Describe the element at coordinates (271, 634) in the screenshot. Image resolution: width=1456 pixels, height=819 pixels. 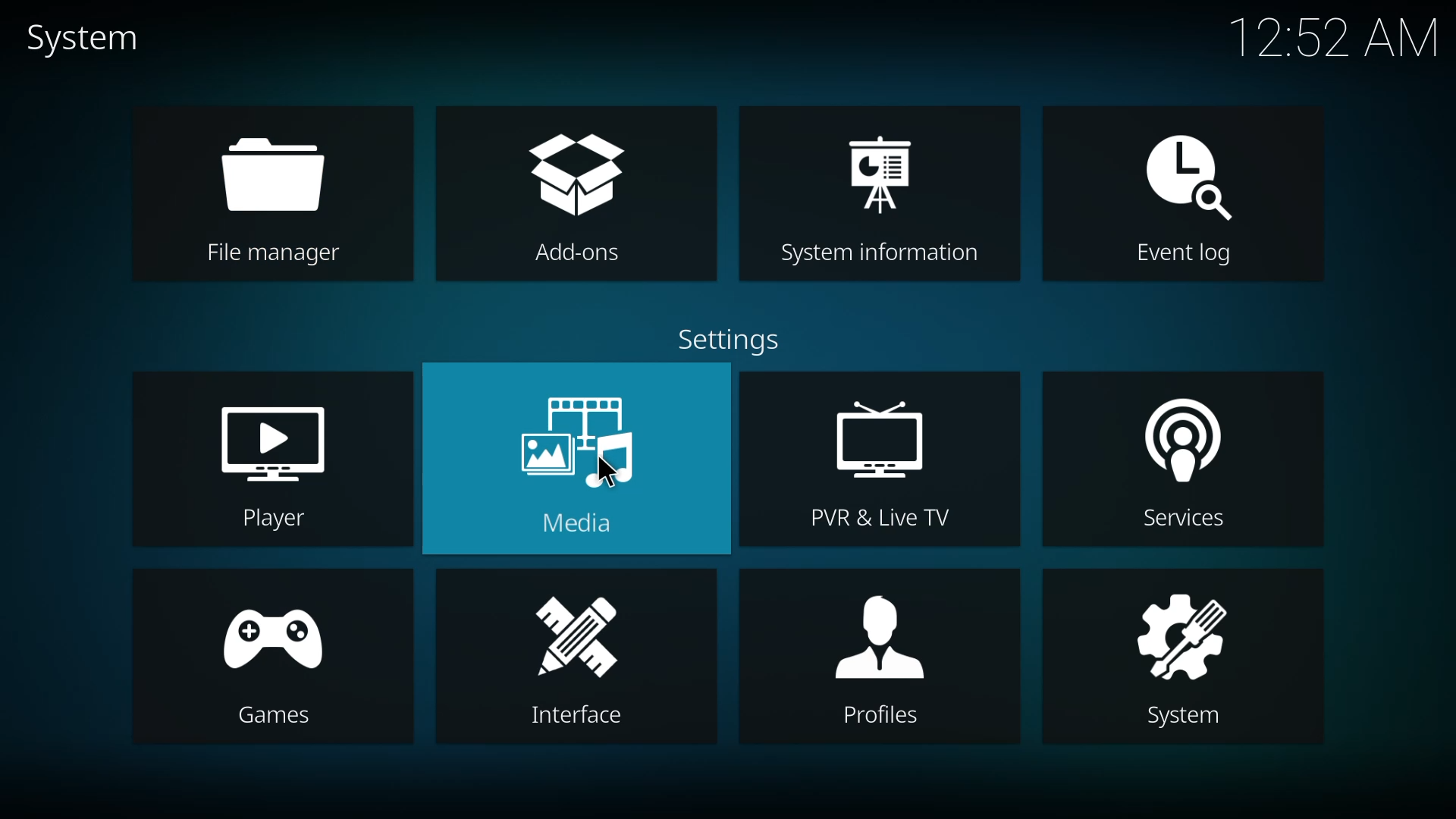
I see `games` at that location.